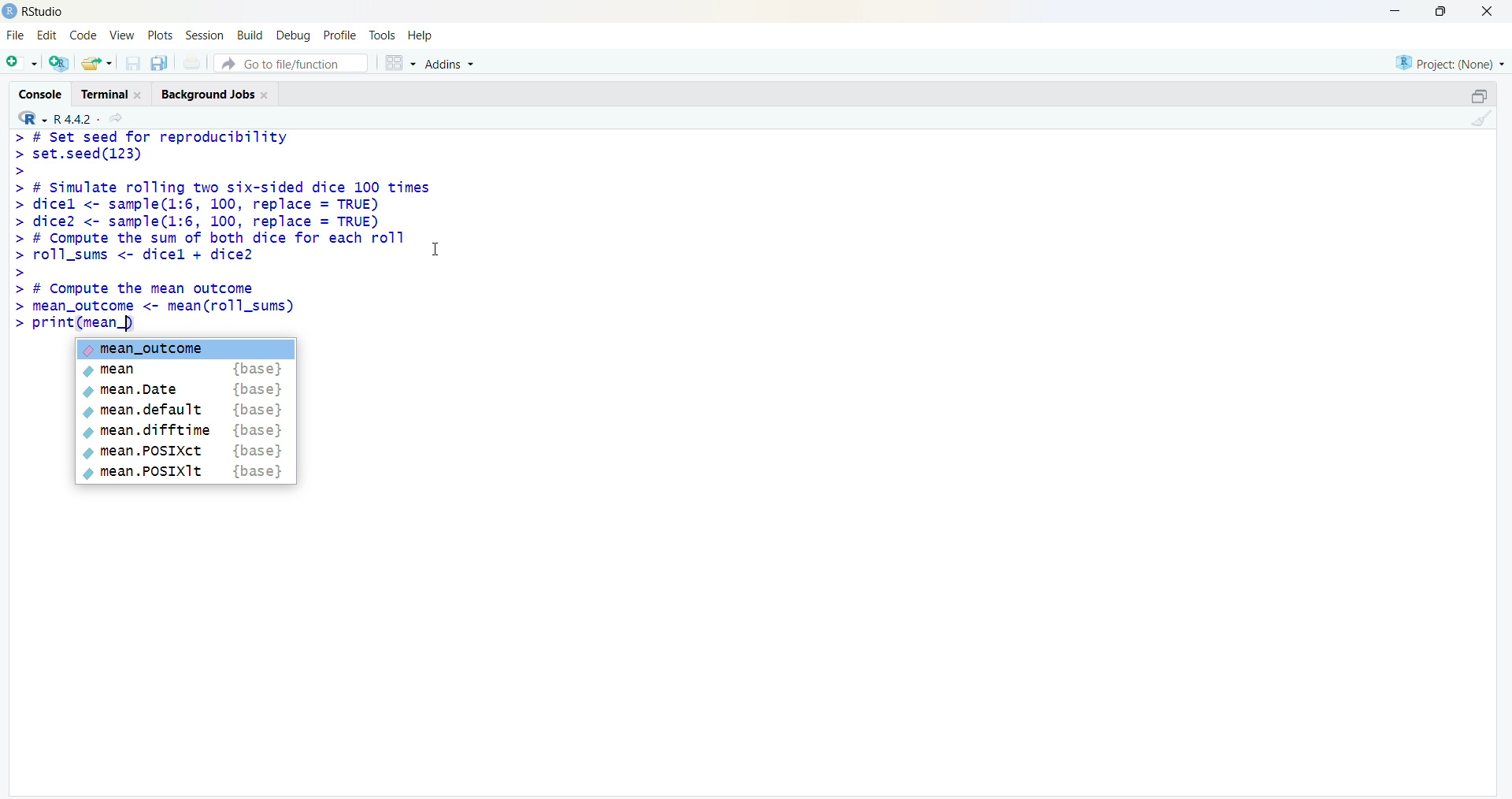 The height and width of the screenshot is (799, 1512). What do you see at coordinates (383, 36) in the screenshot?
I see `tools` at bounding box center [383, 36].